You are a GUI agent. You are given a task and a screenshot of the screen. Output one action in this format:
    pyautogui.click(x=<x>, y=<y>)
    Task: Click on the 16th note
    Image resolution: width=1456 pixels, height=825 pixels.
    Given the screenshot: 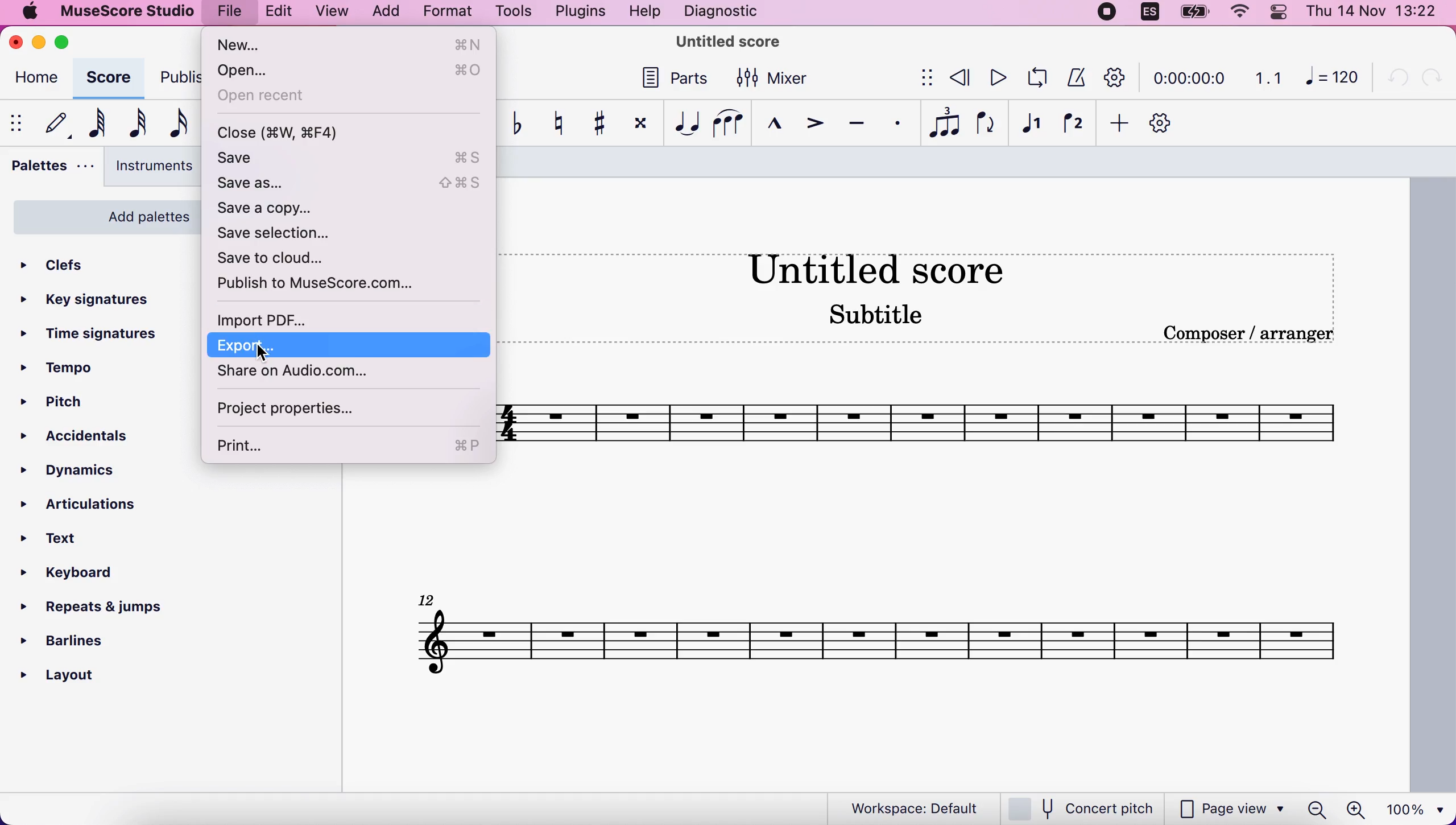 What is the action you would take?
    pyautogui.click(x=175, y=125)
    